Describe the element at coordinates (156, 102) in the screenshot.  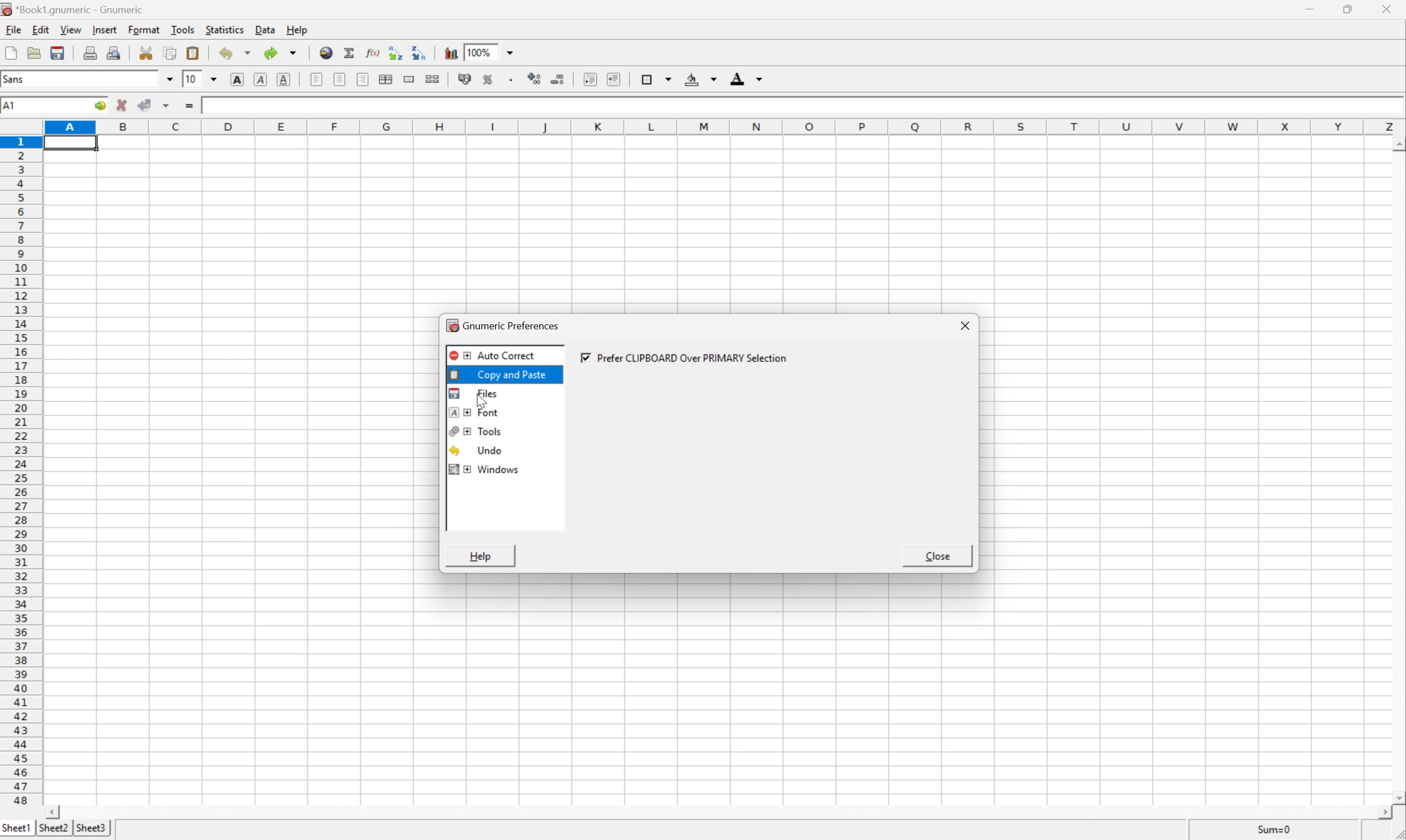
I see `accept changes across selection` at that location.